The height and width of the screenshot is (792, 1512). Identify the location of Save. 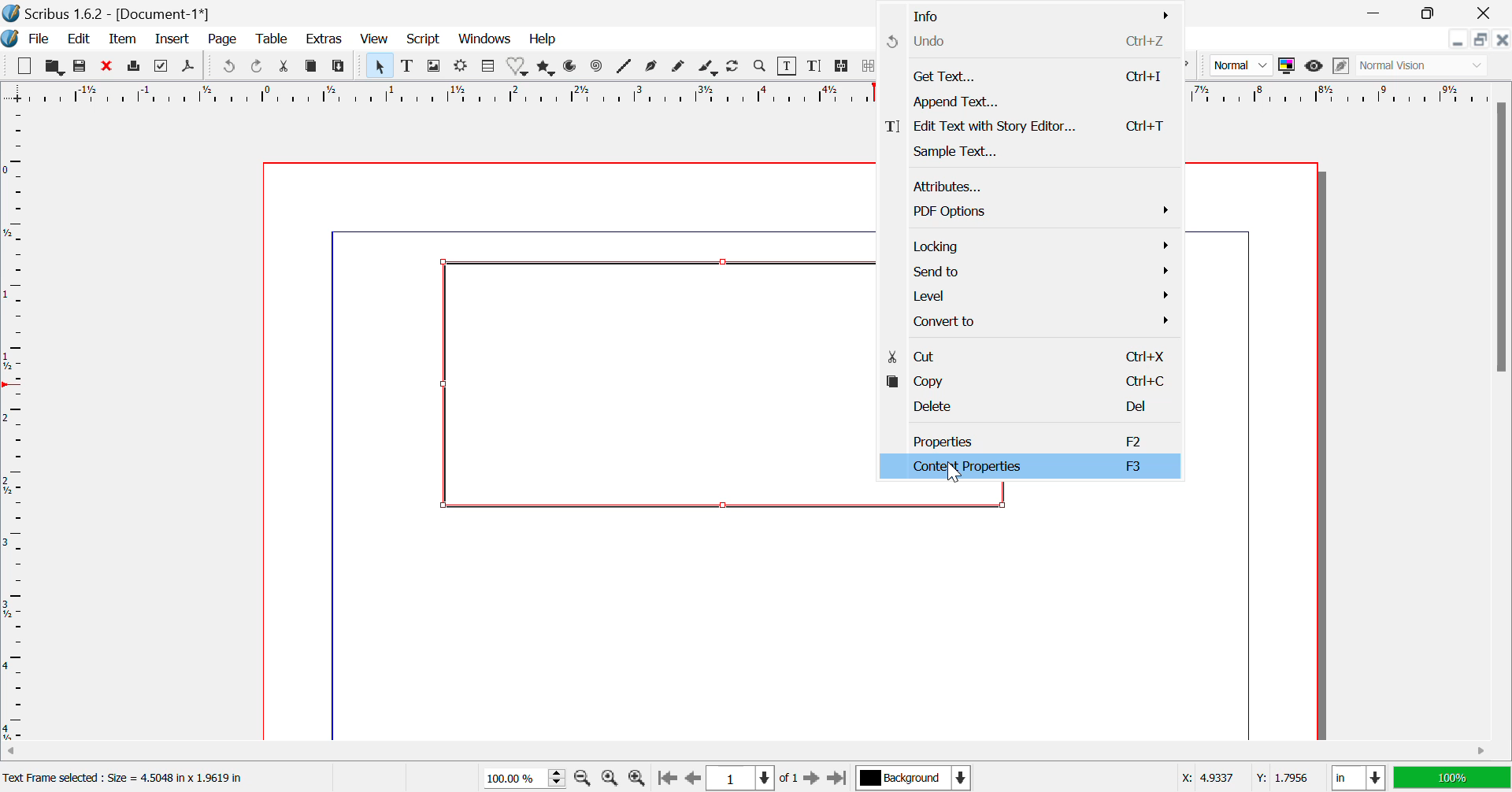
(79, 66).